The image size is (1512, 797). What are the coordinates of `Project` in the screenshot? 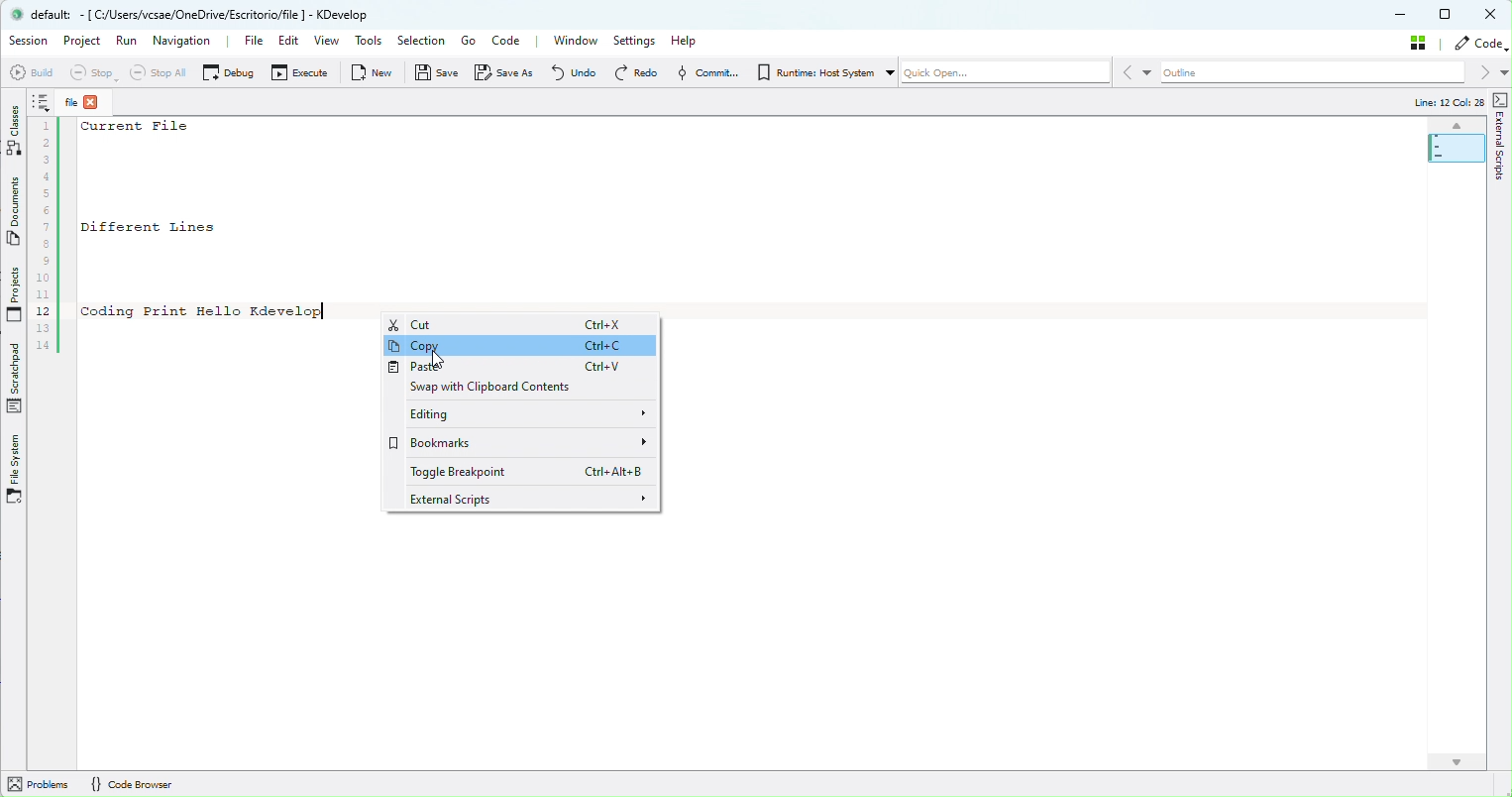 It's located at (83, 41).